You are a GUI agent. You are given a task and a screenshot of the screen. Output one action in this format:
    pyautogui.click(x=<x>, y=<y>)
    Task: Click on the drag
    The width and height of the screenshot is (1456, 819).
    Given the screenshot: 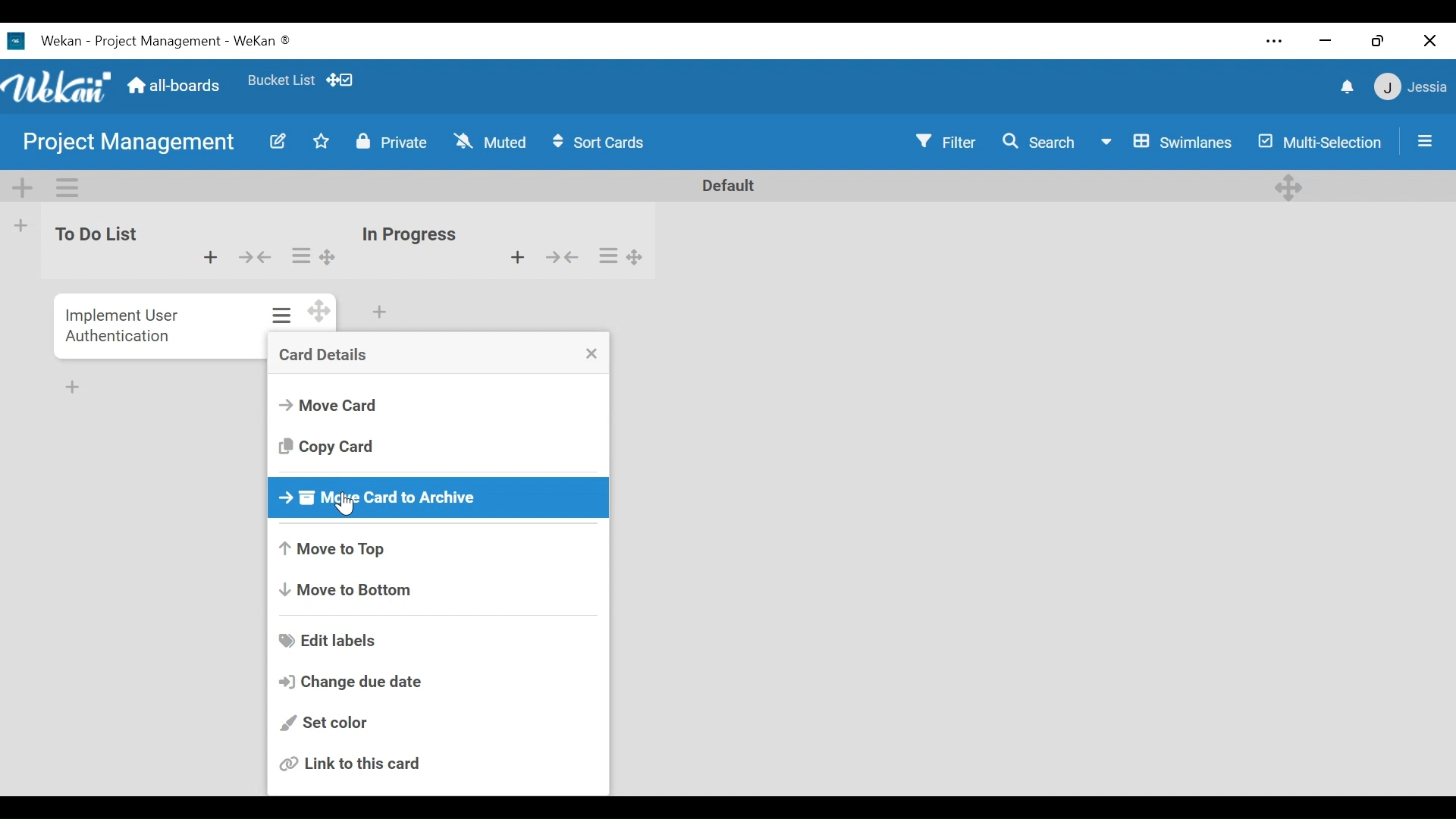 What is the action you would take?
    pyautogui.click(x=317, y=314)
    